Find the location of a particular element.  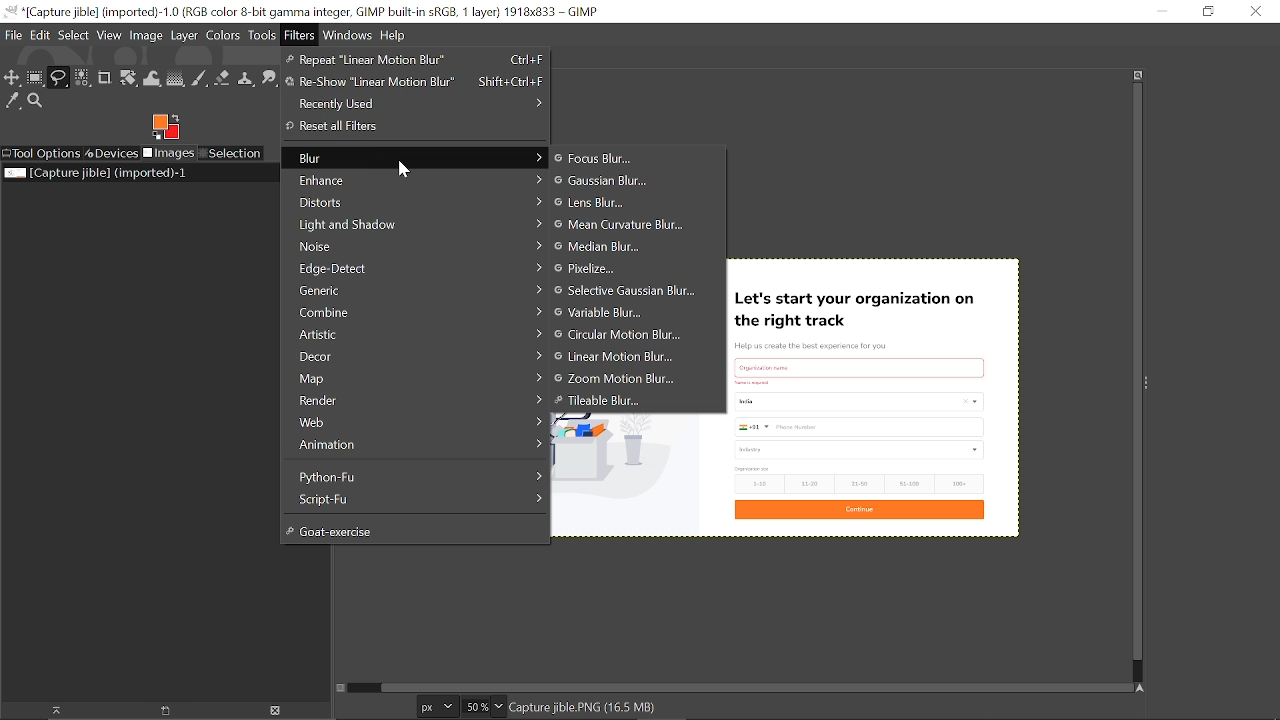

Goat-exercise is located at coordinates (408, 530).